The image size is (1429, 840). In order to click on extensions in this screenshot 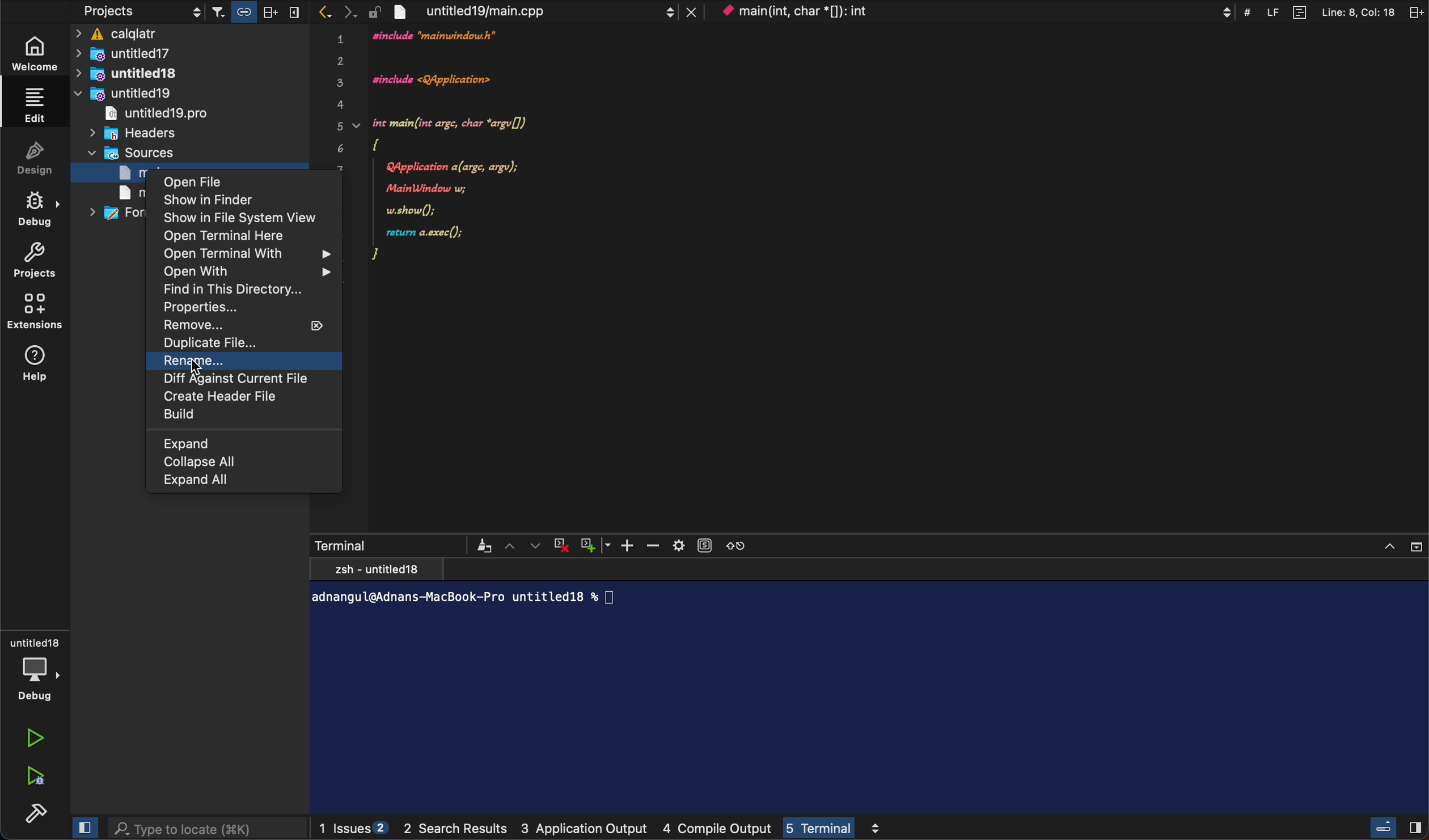, I will do `click(40, 313)`.